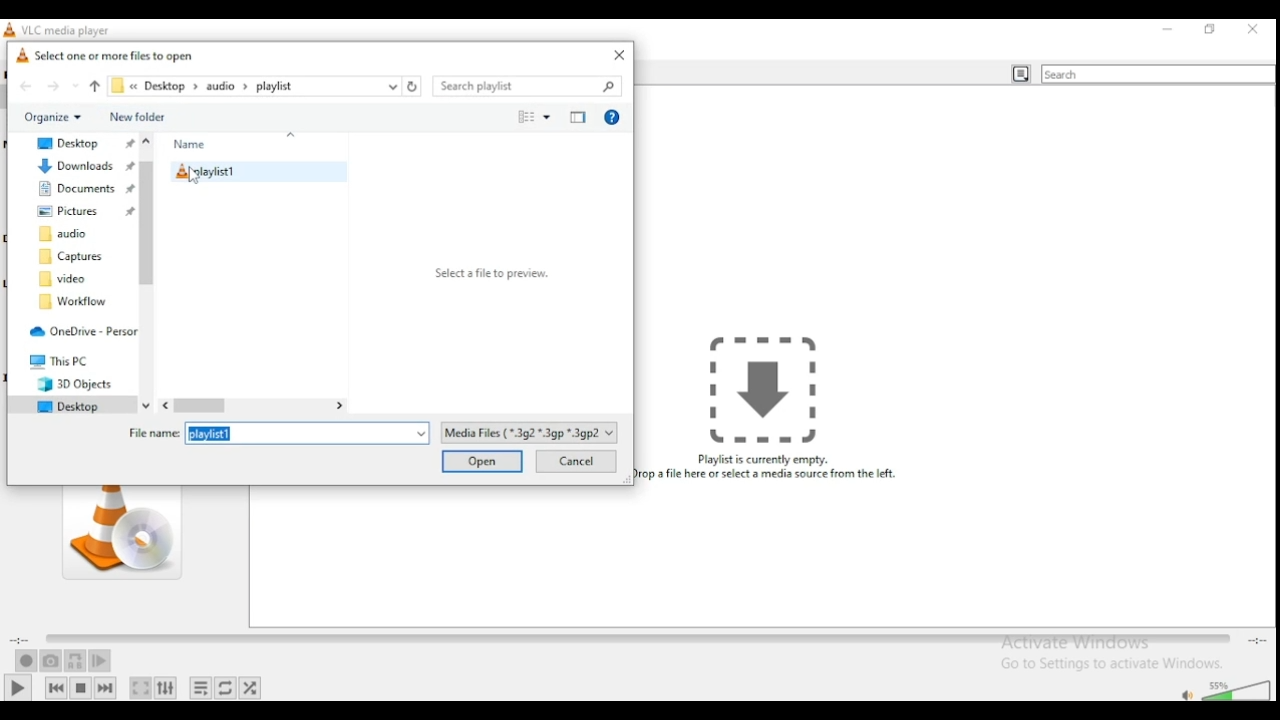 This screenshot has height=720, width=1280. I want to click on organize, so click(56, 117).